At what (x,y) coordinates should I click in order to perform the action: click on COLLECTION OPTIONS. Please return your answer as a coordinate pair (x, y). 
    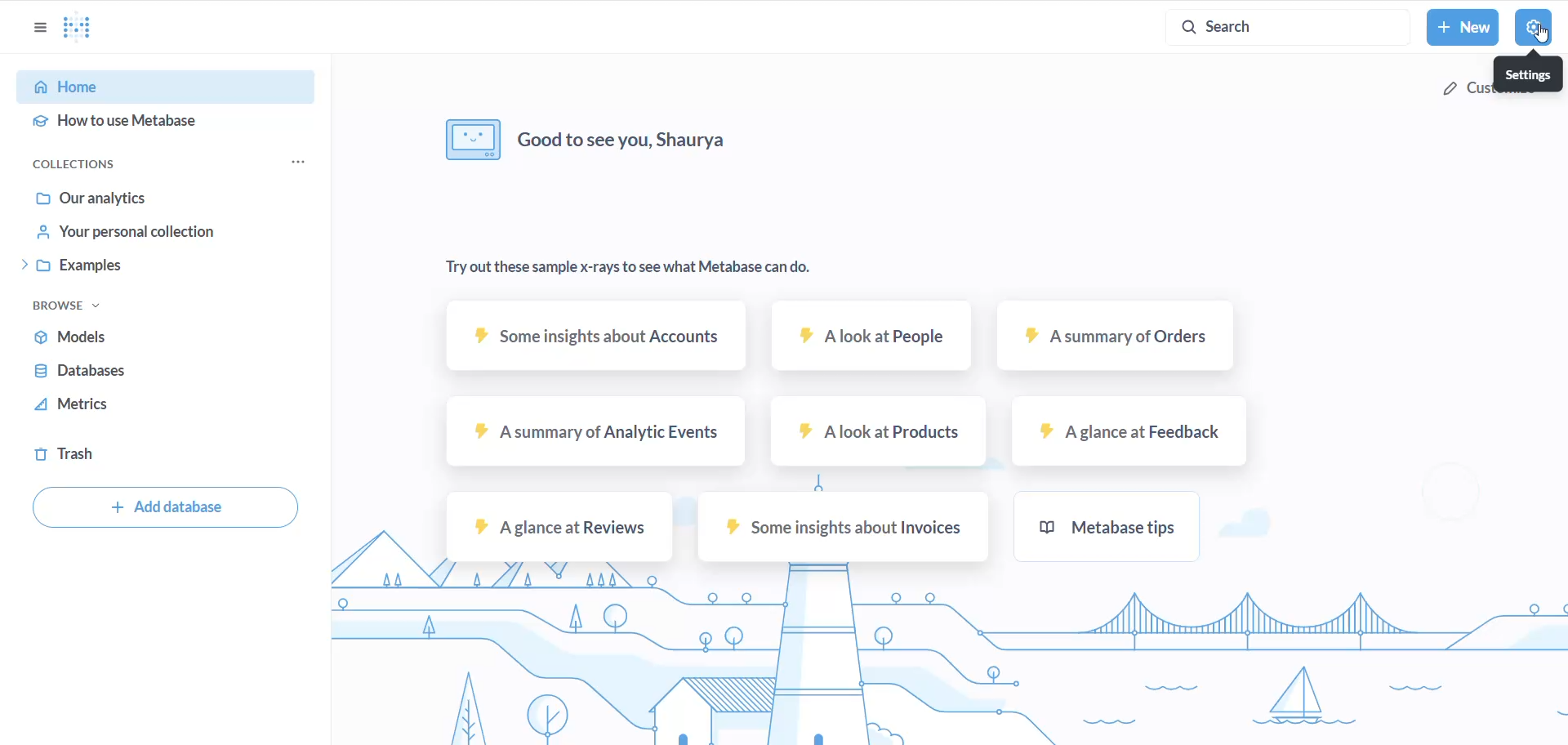
    Looking at the image, I should click on (301, 163).